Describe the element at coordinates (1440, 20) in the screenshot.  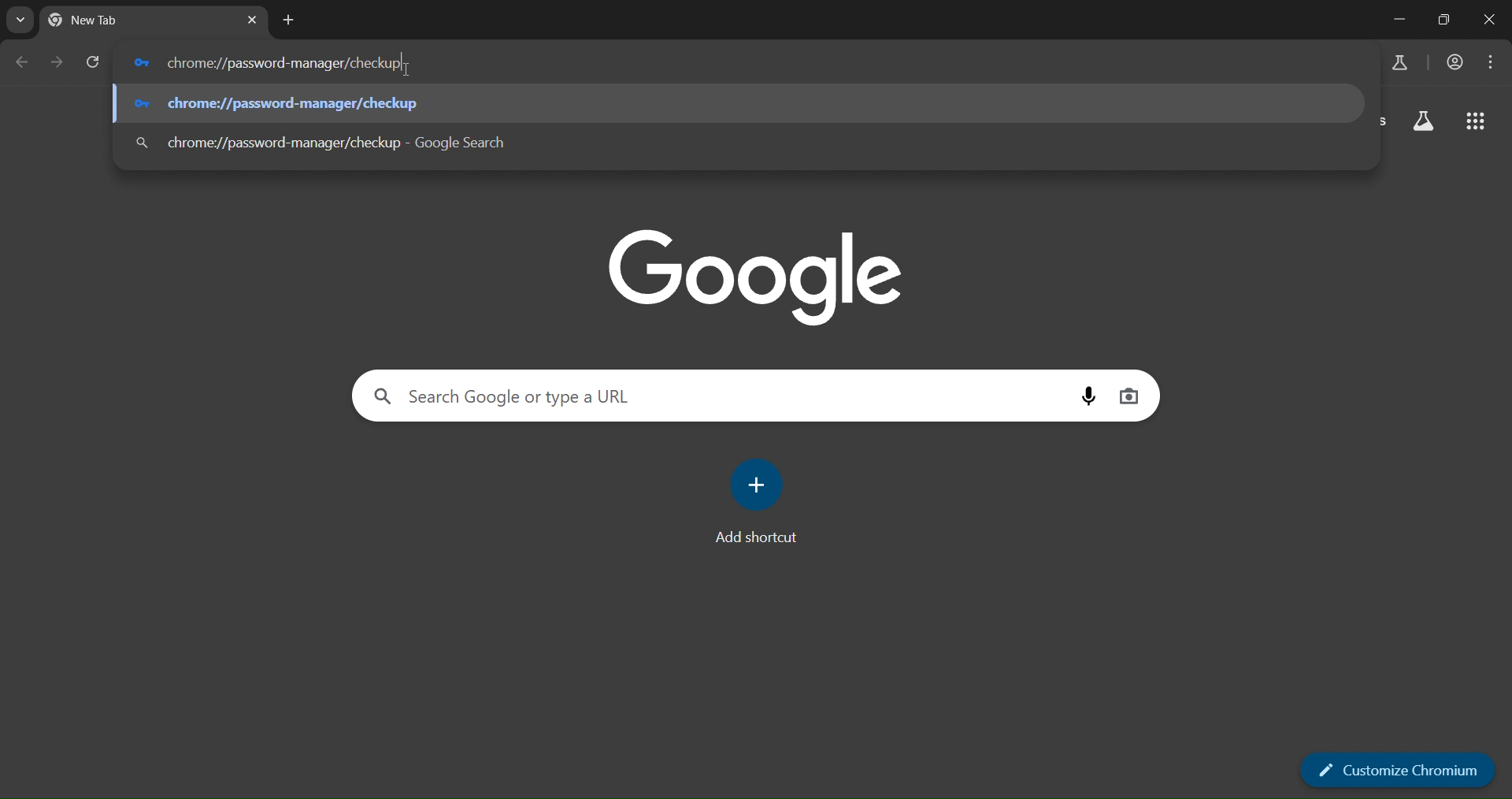
I see `restore down` at that location.